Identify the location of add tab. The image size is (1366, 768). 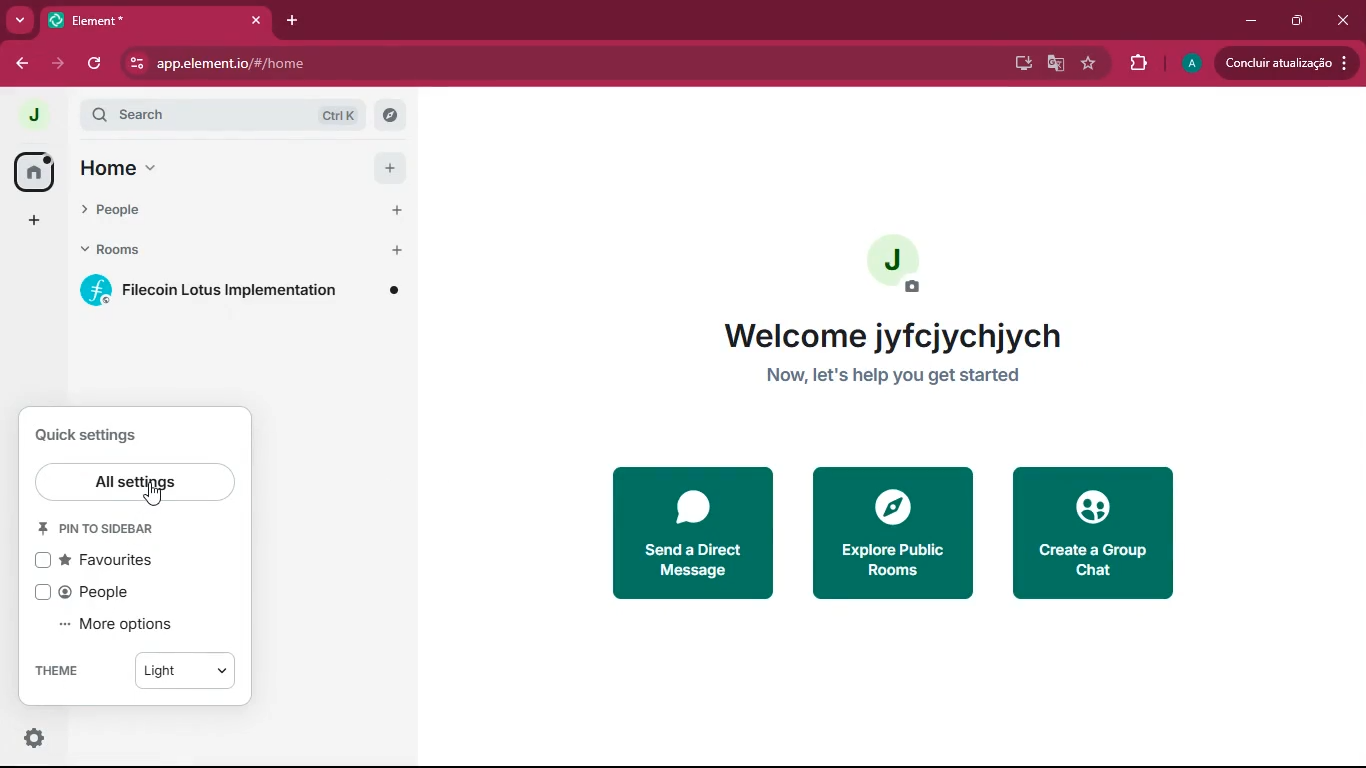
(288, 19).